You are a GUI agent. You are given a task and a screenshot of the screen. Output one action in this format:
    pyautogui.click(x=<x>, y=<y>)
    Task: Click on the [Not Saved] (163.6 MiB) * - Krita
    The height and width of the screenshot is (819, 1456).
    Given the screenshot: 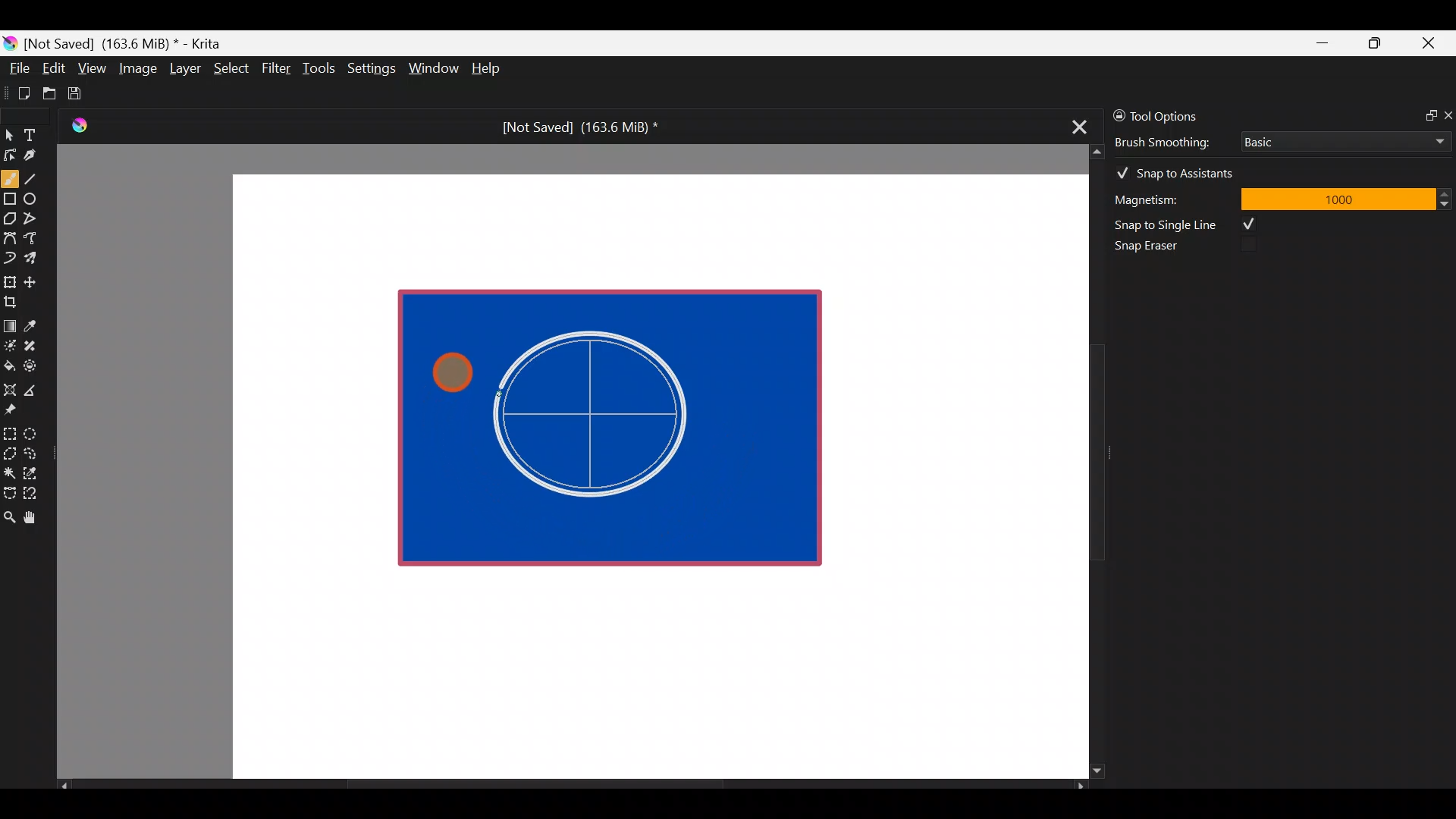 What is the action you would take?
    pyautogui.click(x=130, y=42)
    